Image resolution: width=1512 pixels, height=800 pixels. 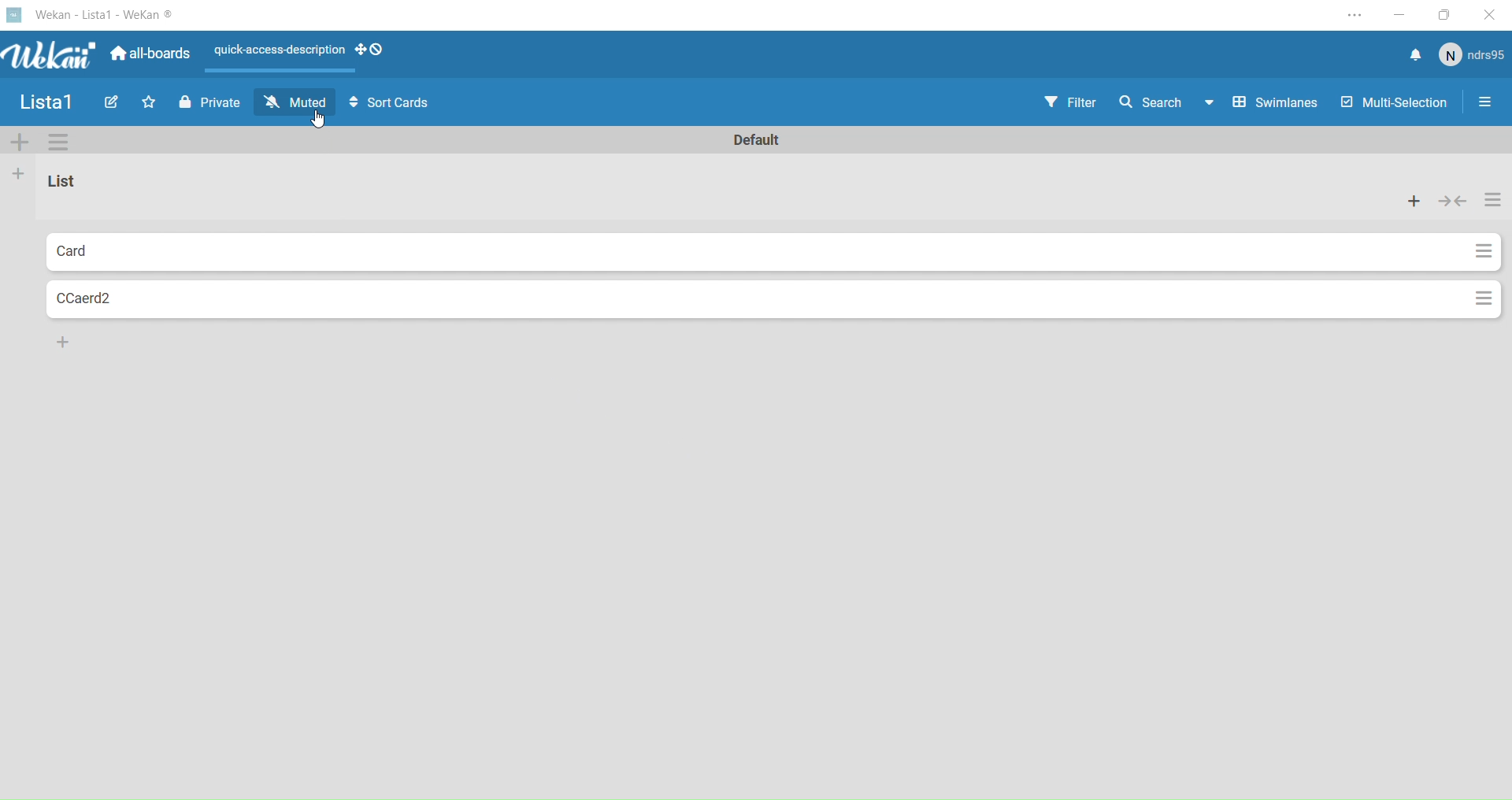 I want to click on Search, so click(x=1161, y=102).